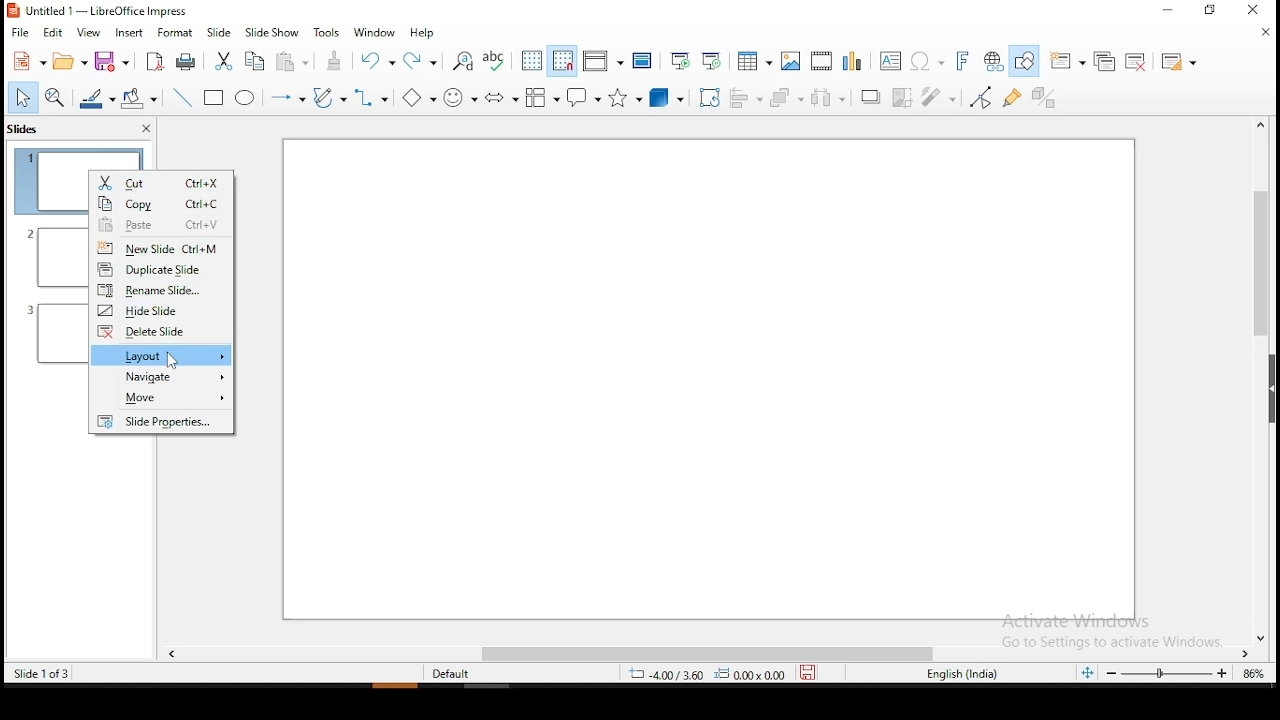 The image size is (1280, 720). I want to click on slide, so click(706, 380).